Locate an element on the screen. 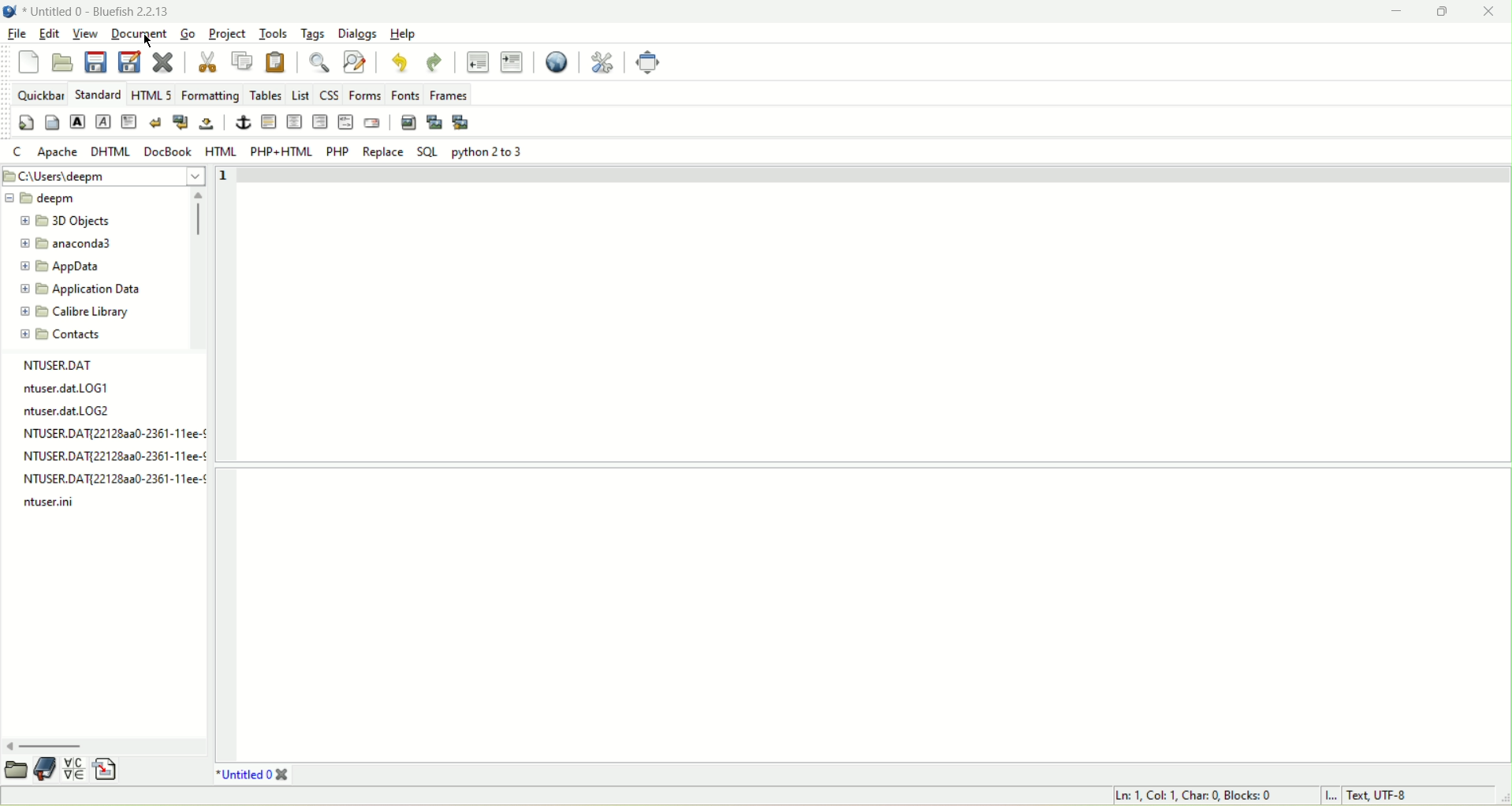  multi plugin is located at coordinates (461, 123).